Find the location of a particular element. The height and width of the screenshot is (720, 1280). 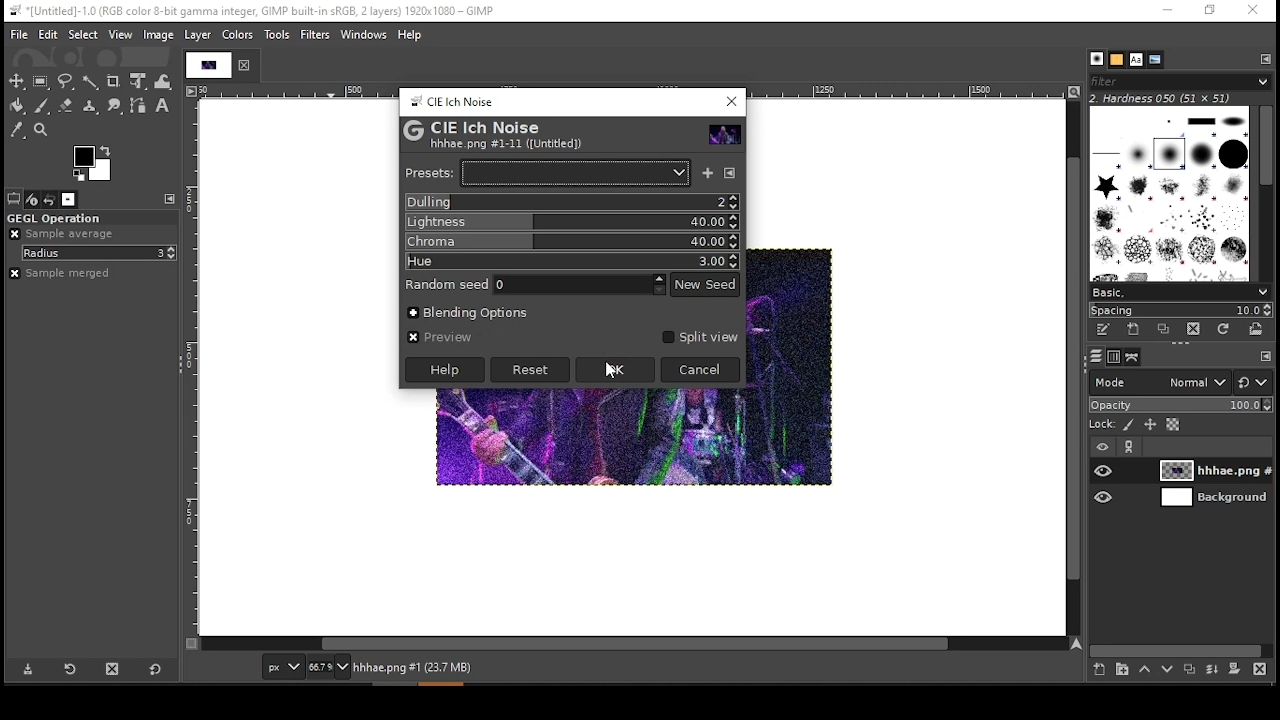

layer  is located at coordinates (1212, 497).